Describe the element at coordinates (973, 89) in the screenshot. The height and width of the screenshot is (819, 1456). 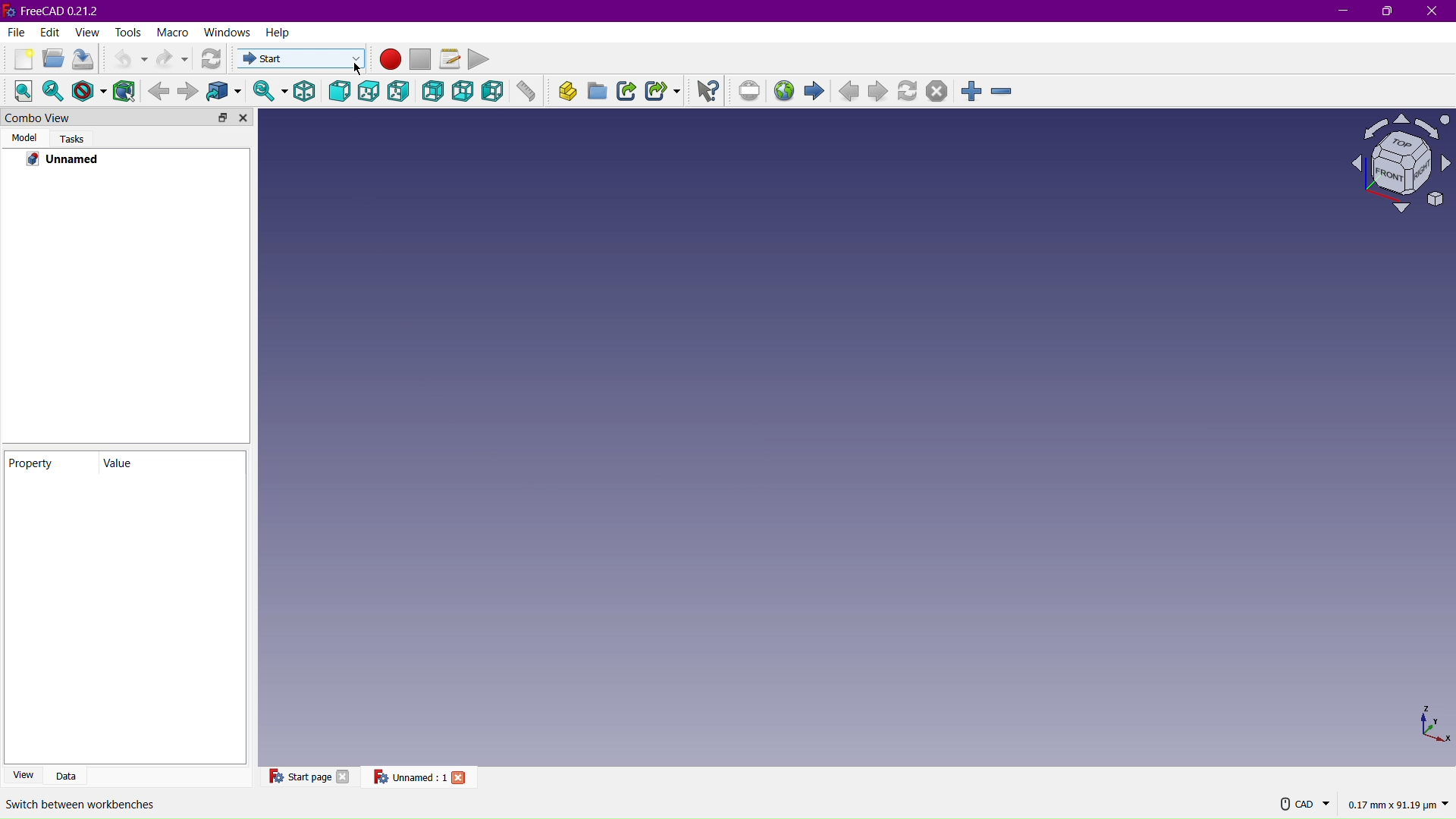
I see `Zoom In` at that location.